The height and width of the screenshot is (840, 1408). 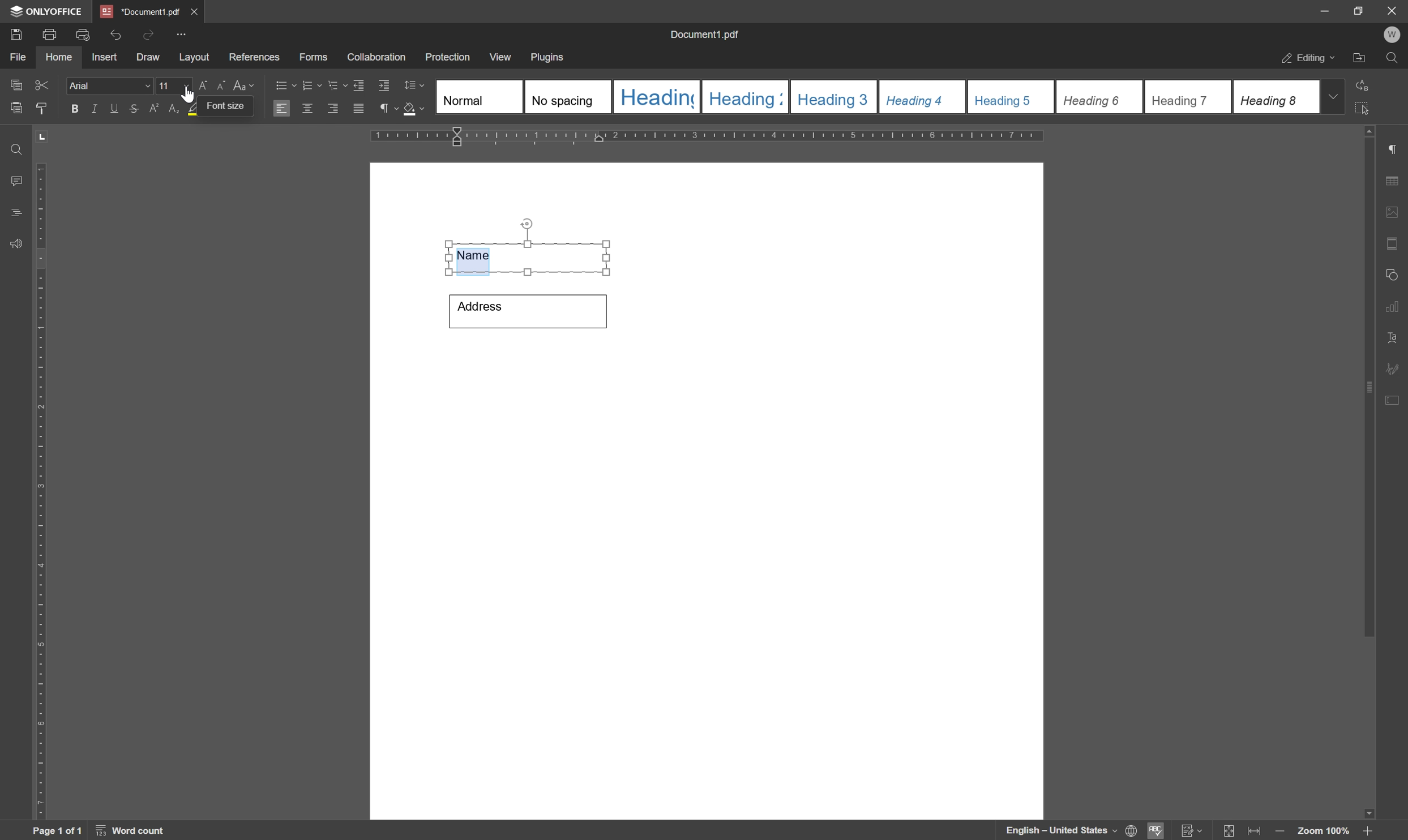 I want to click on fit to width, so click(x=1257, y=832).